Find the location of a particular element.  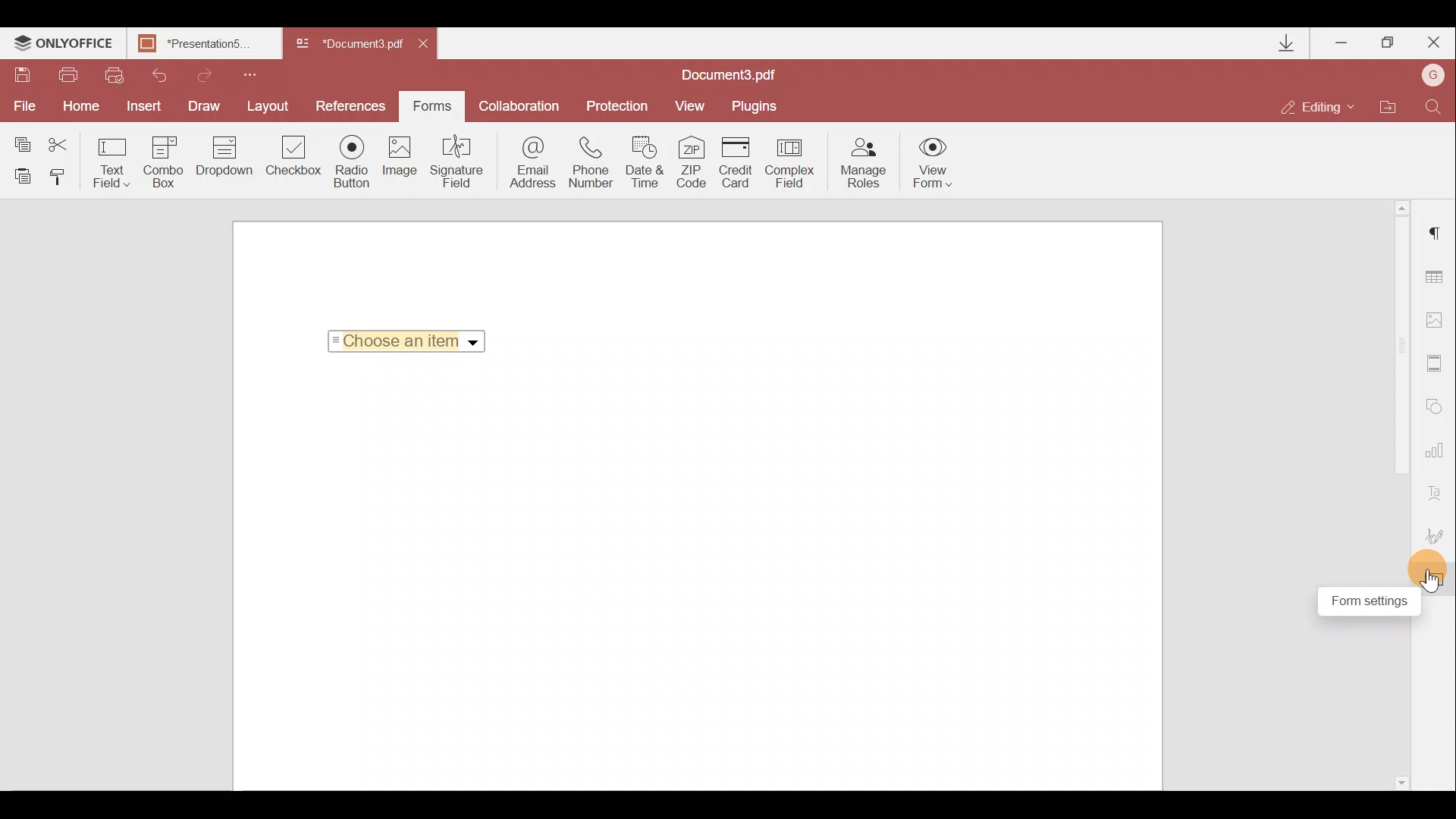

Document3.pdf is located at coordinates (349, 45).